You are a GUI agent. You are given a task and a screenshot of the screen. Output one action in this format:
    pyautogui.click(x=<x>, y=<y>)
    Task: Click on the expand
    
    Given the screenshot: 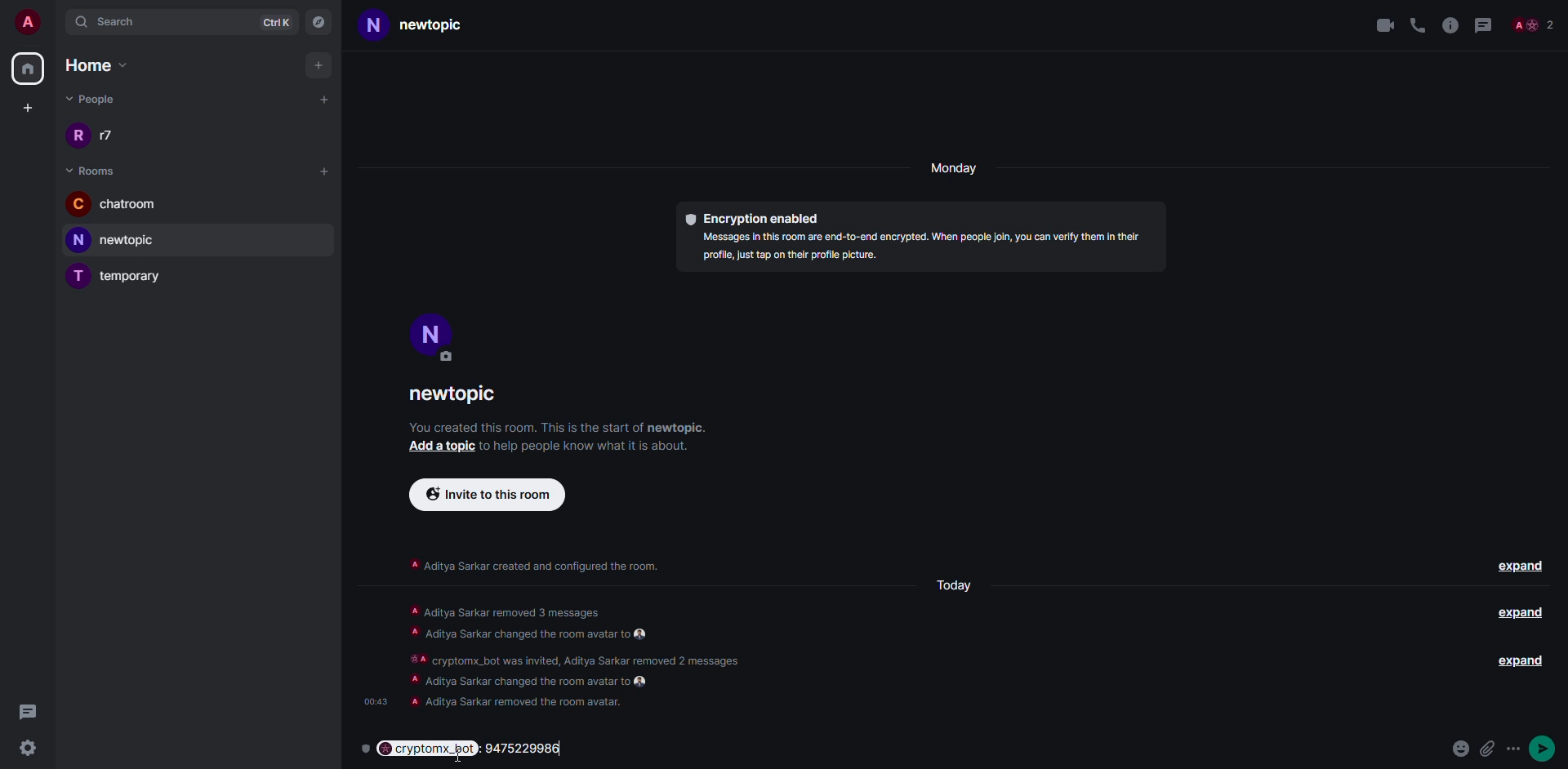 What is the action you would take?
    pyautogui.click(x=1522, y=566)
    